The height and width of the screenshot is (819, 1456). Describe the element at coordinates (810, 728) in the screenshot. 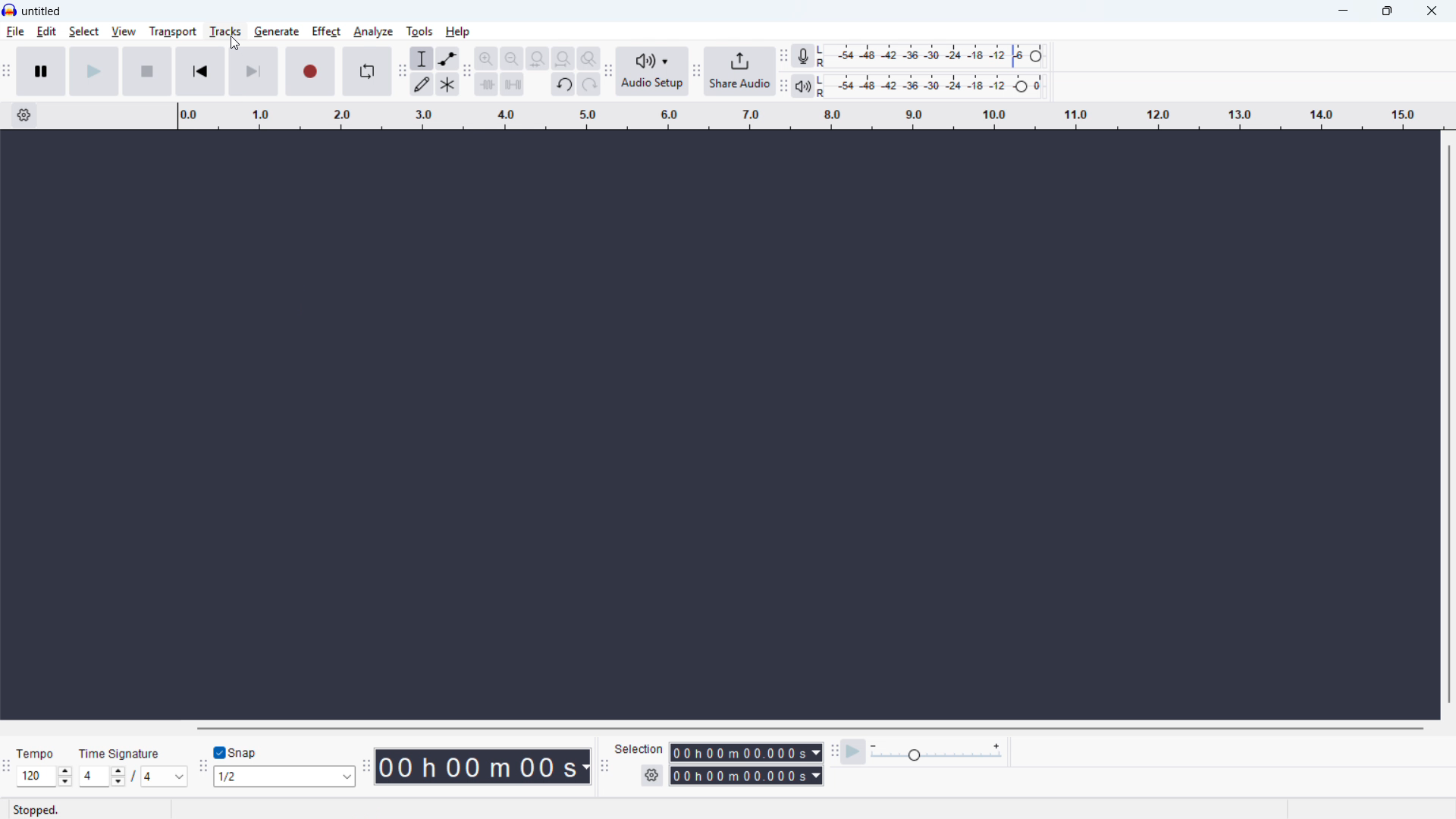

I see `Horizontal scroll bar ` at that location.